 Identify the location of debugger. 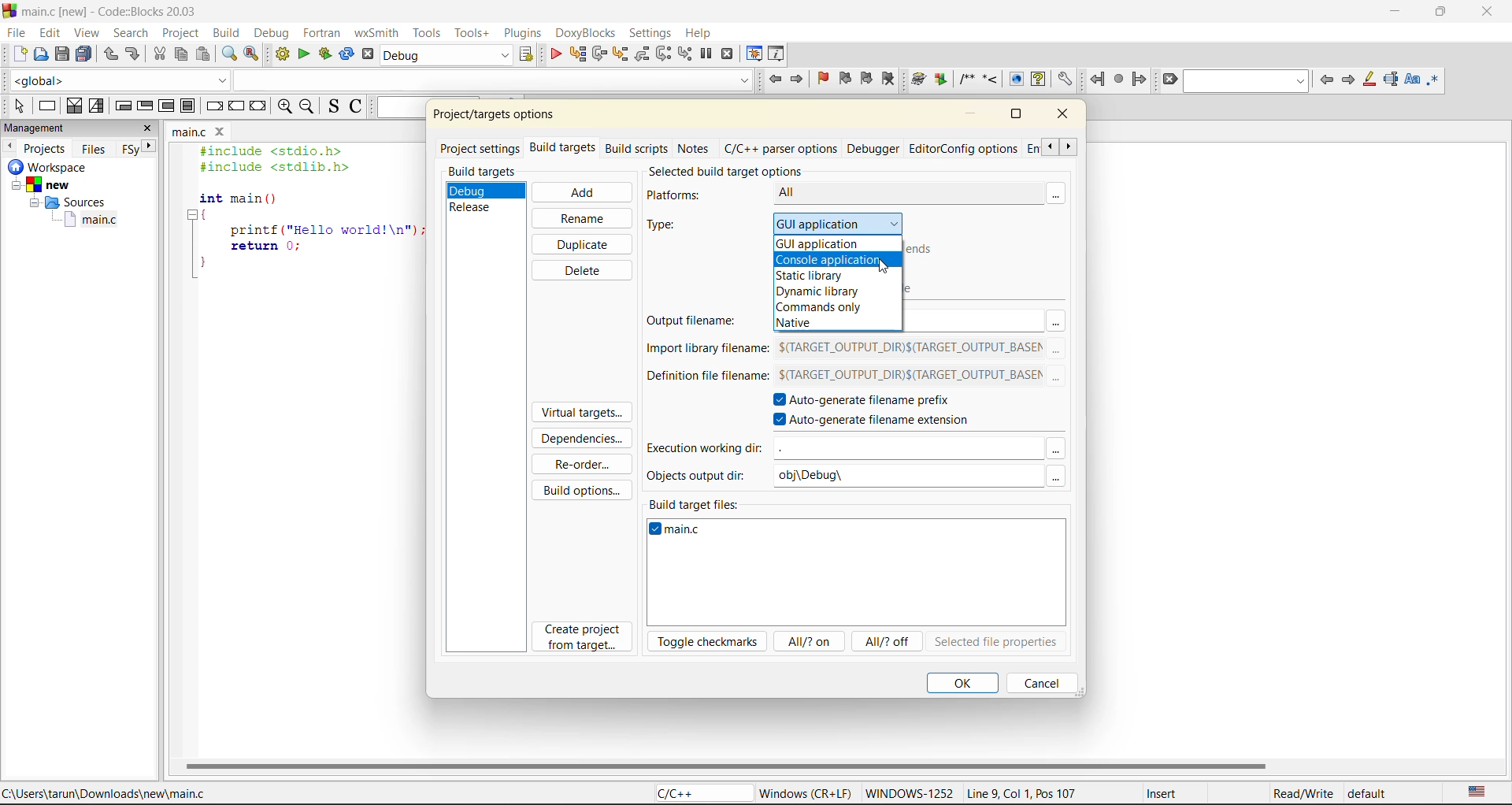
(875, 148).